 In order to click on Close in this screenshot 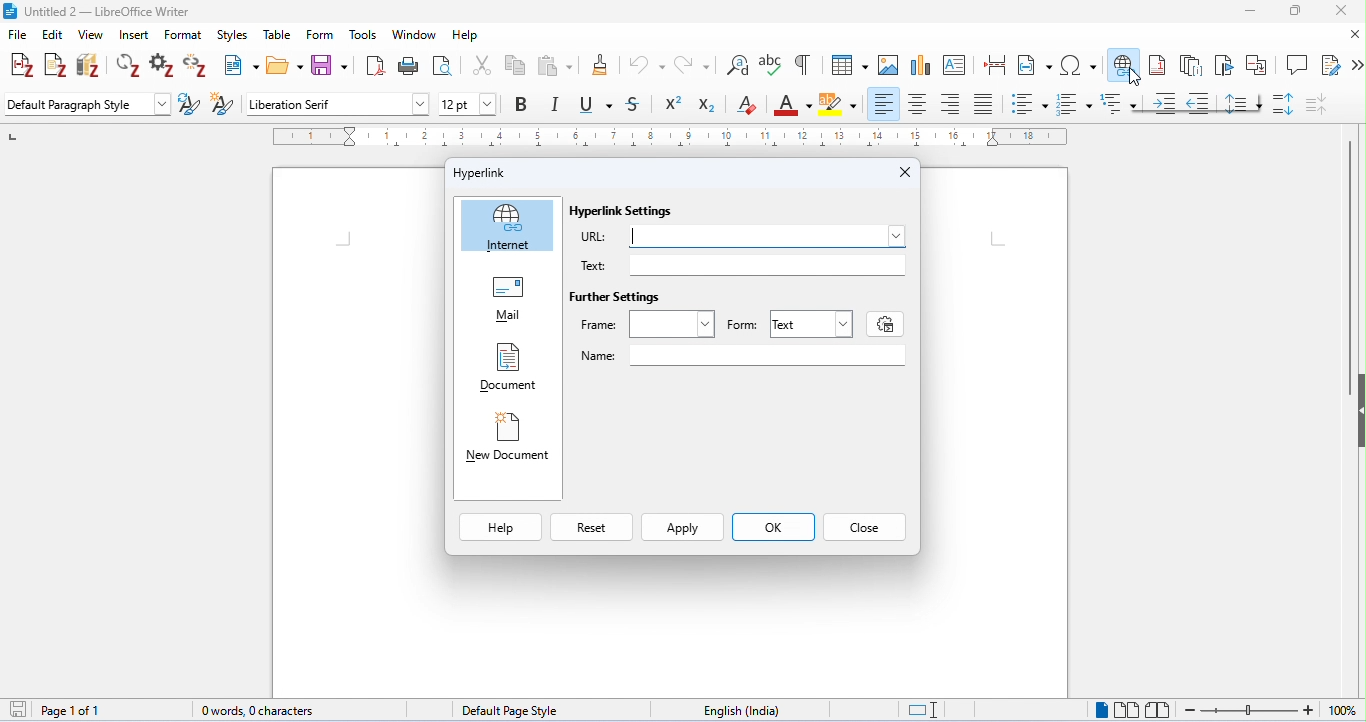, I will do `click(906, 171)`.